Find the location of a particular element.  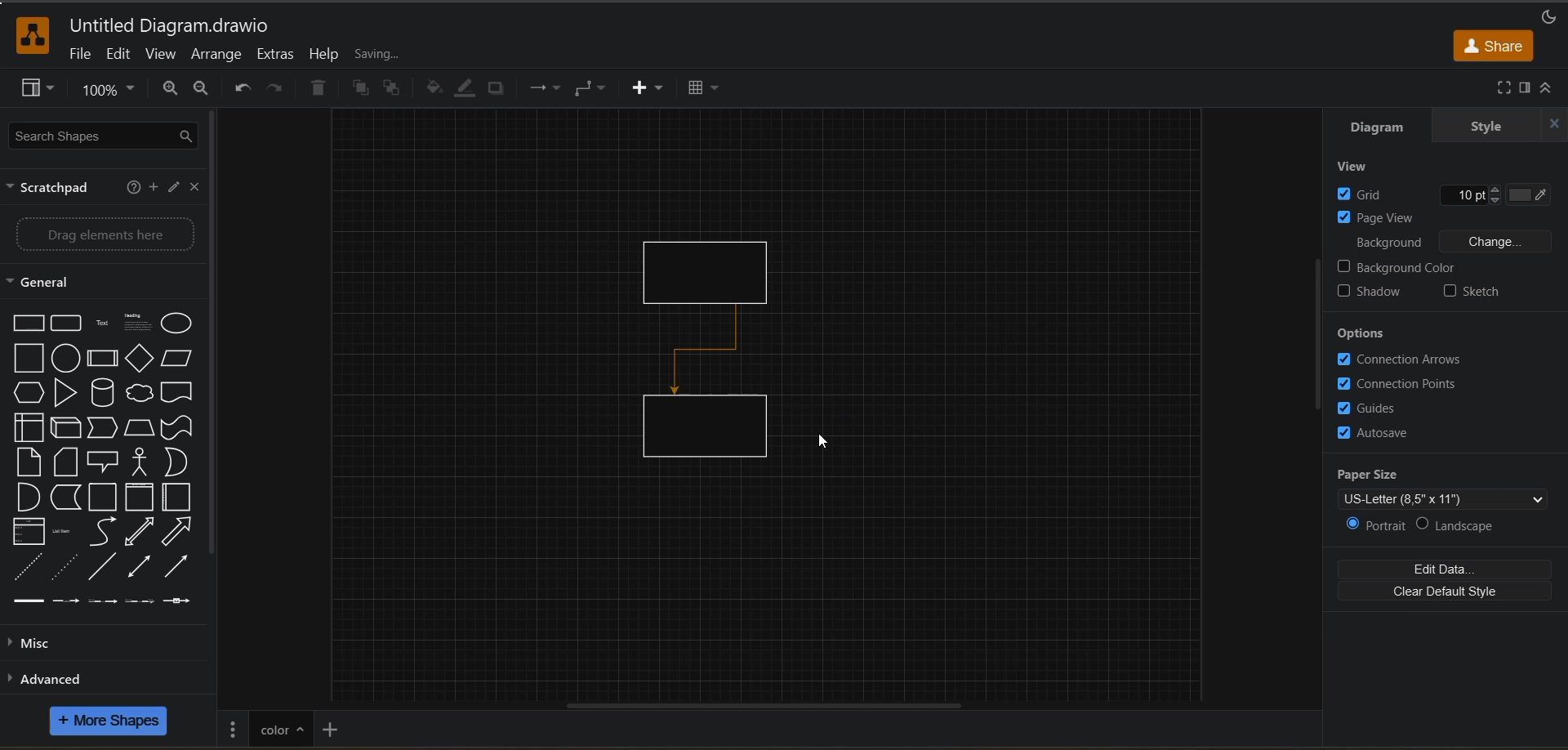

Note is located at coordinates (67, 461).